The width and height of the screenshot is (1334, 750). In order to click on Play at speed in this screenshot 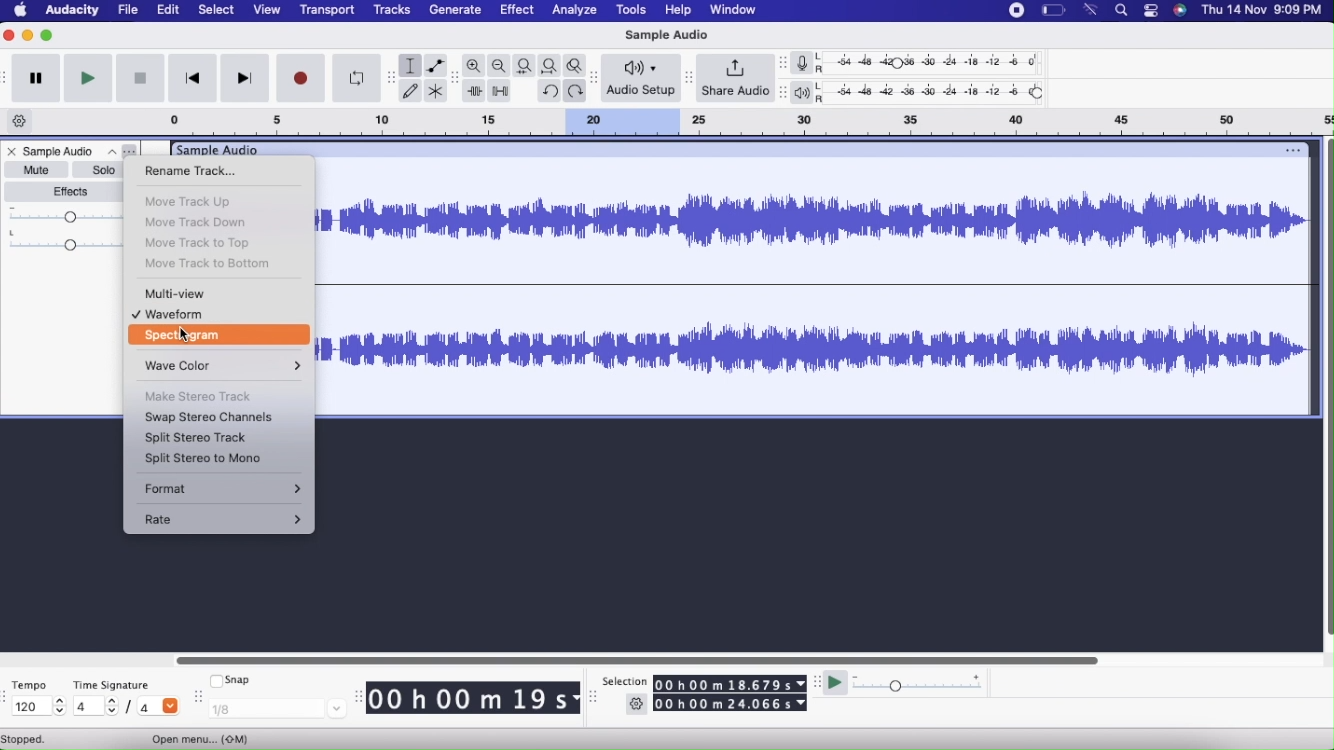, I will do `click(833, 683)`.